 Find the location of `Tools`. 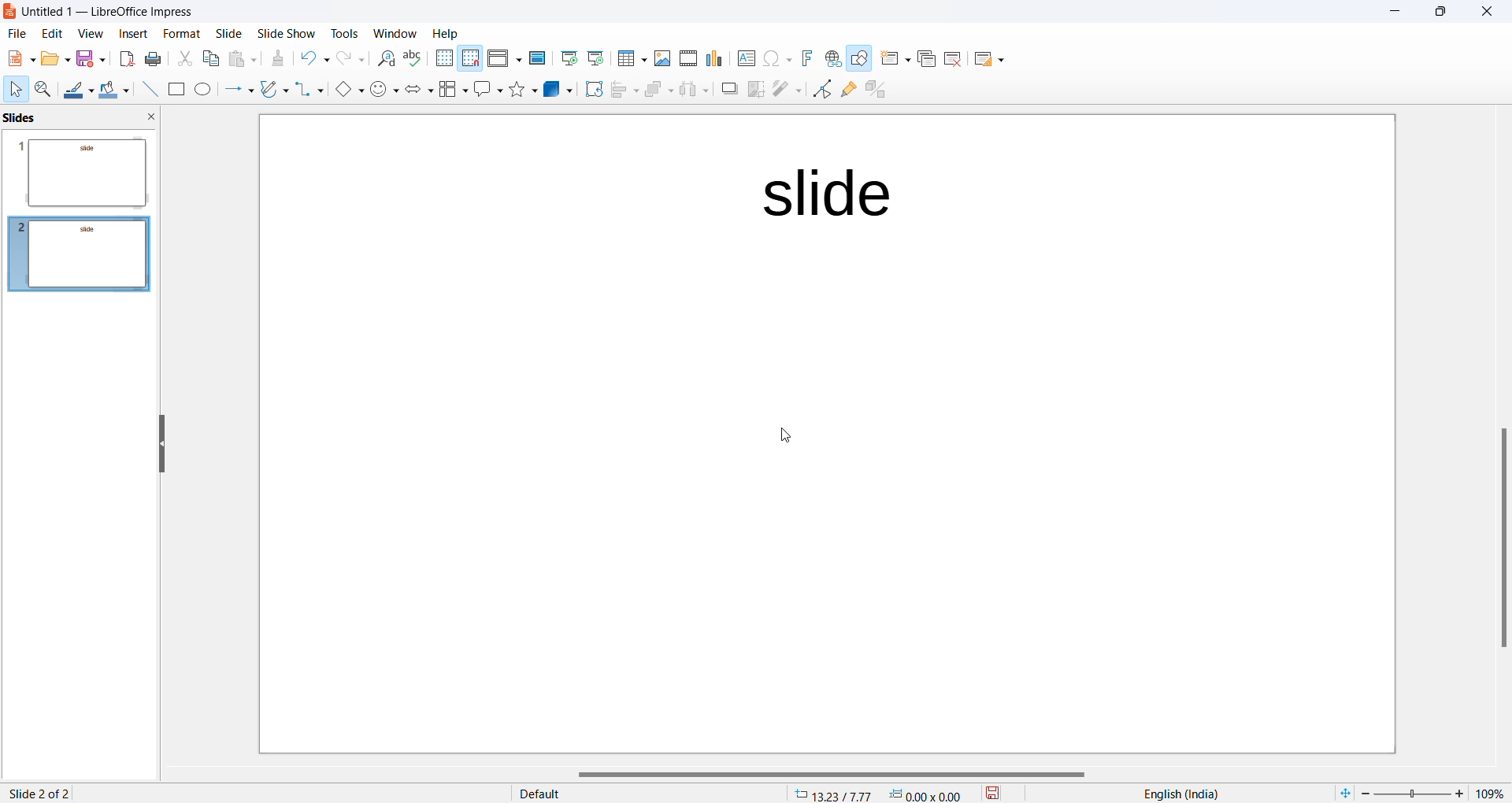

Tools is located at coordinates (342, 31).